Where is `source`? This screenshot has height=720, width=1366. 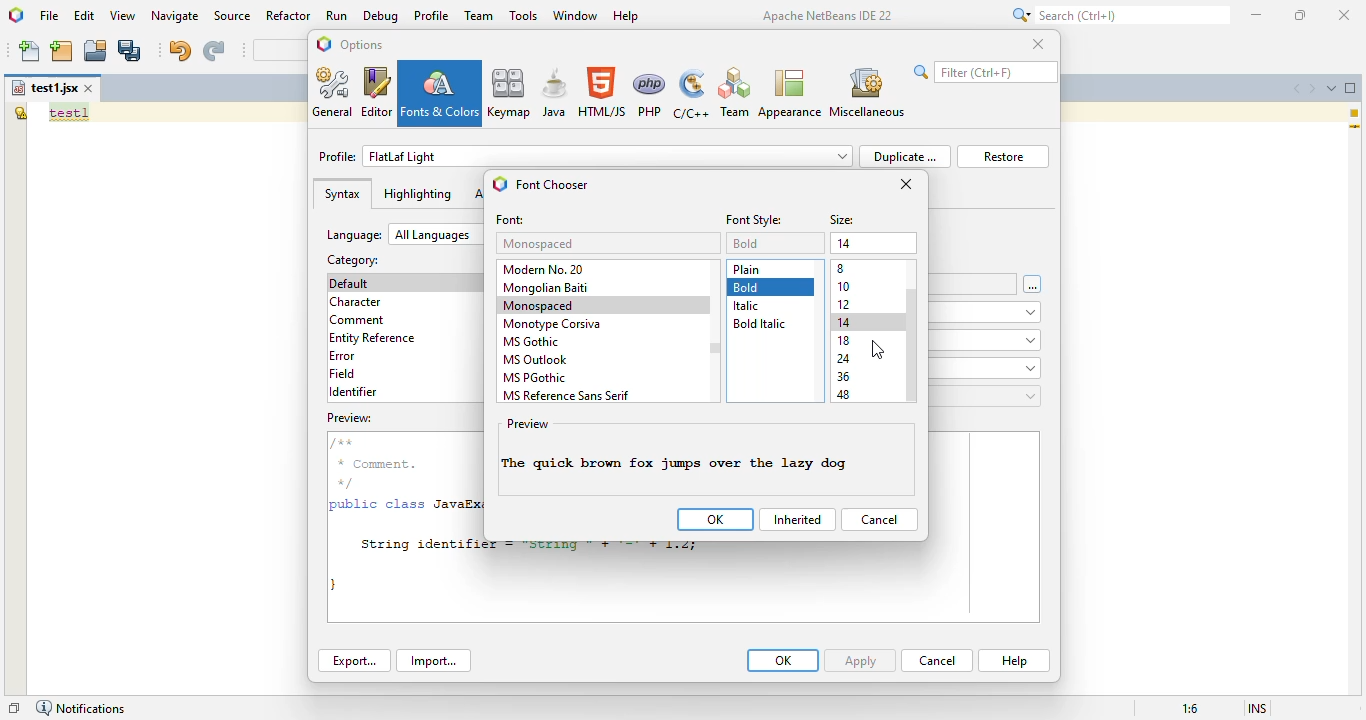 source is located at coordinates (233, 16).